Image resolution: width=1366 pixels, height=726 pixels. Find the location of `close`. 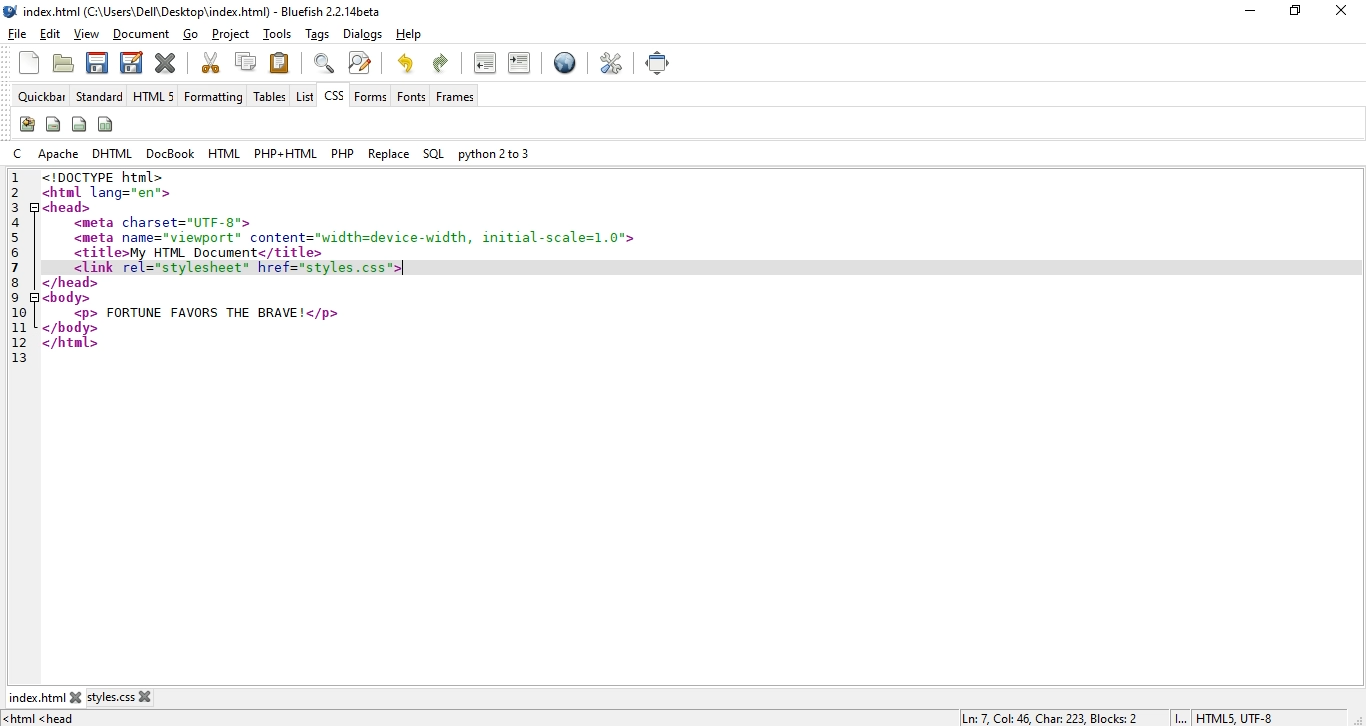

close is located at coordinates (150, 696).